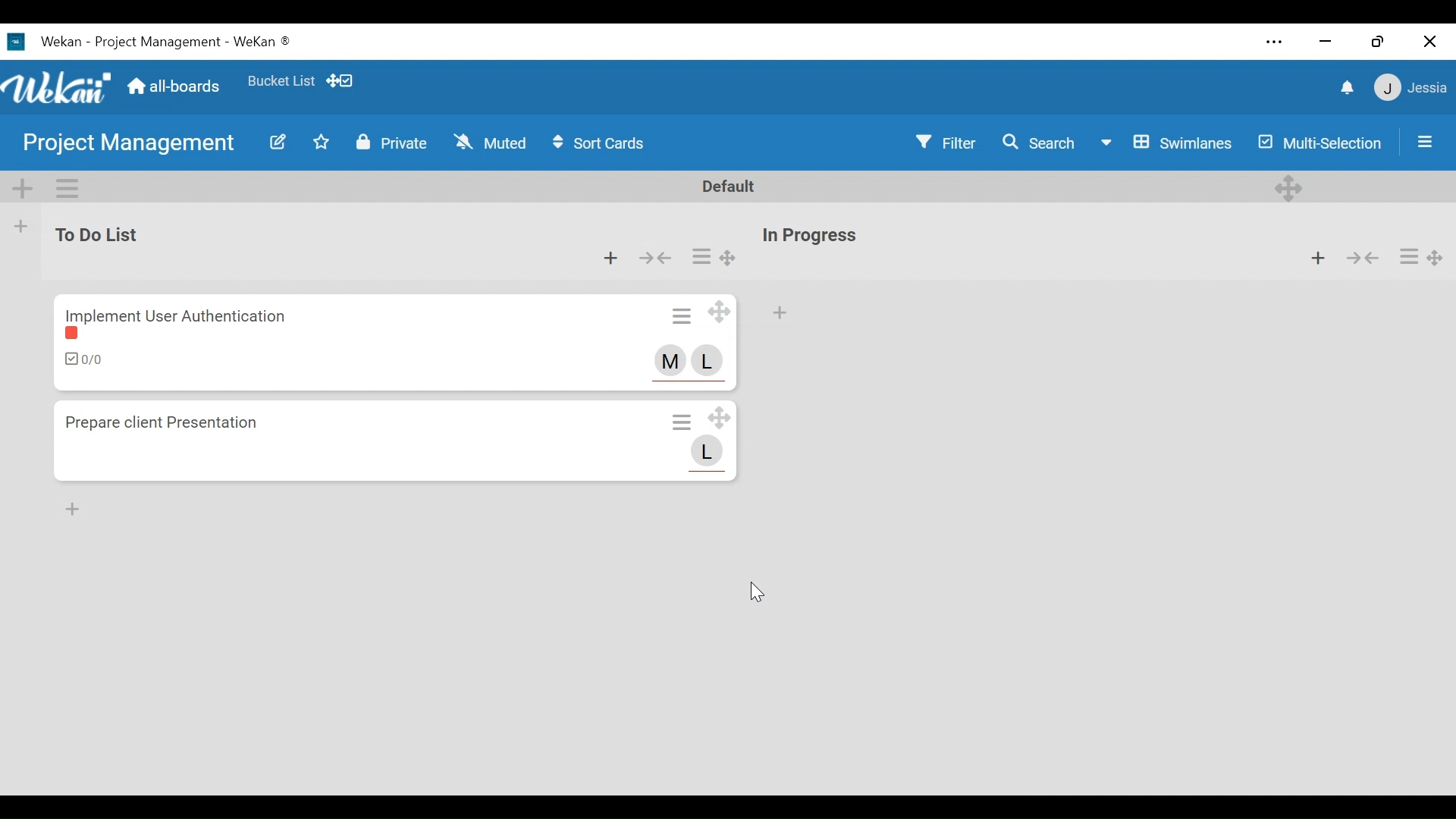 The width and height of the screenshot is (1456, 819). I want to click on Home (all-boards), so click(175, 86).